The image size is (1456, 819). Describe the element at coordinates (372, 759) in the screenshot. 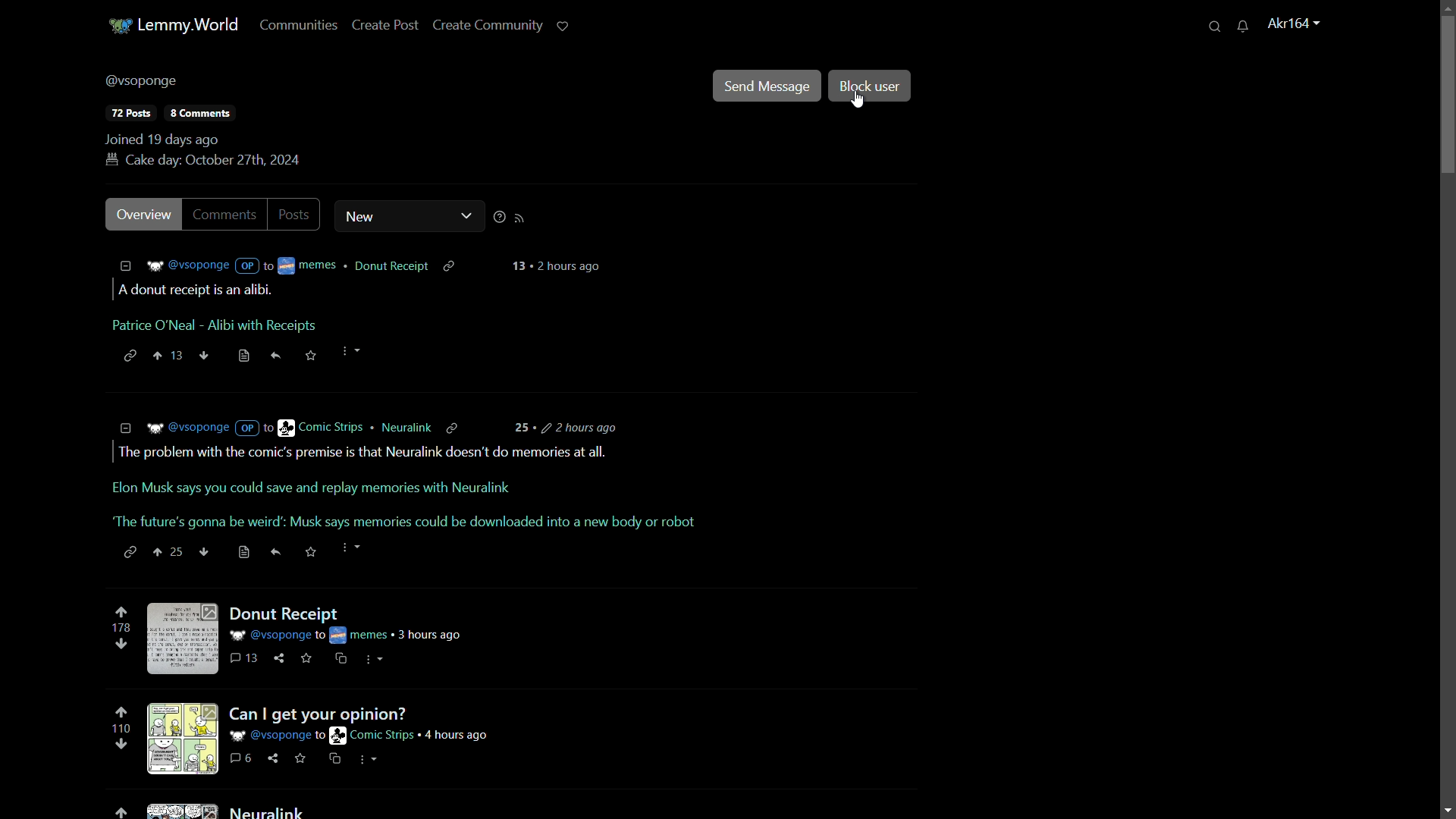

I see `cs` at that location.